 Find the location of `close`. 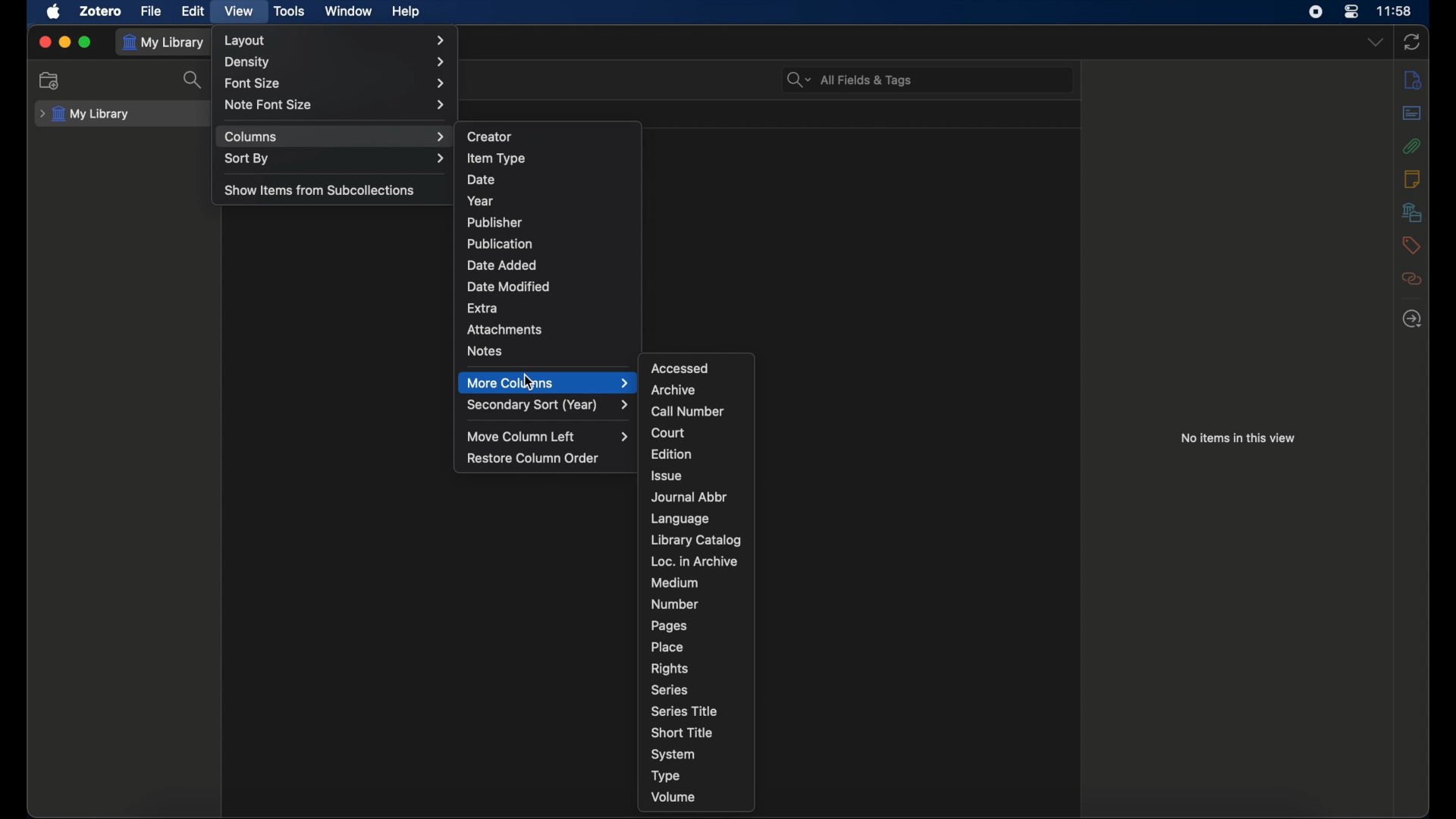

close is located at coordinates (44, 42).